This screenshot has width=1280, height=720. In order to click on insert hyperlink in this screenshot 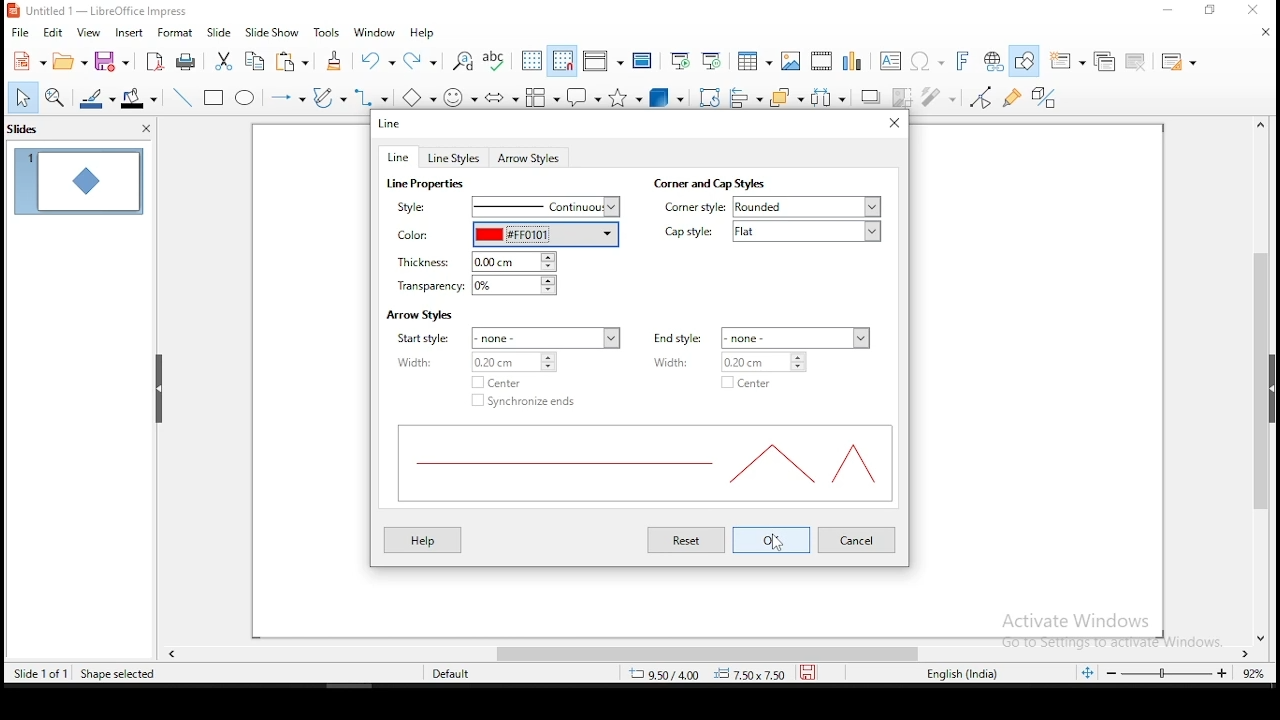, I will do `click(994, 61)`.